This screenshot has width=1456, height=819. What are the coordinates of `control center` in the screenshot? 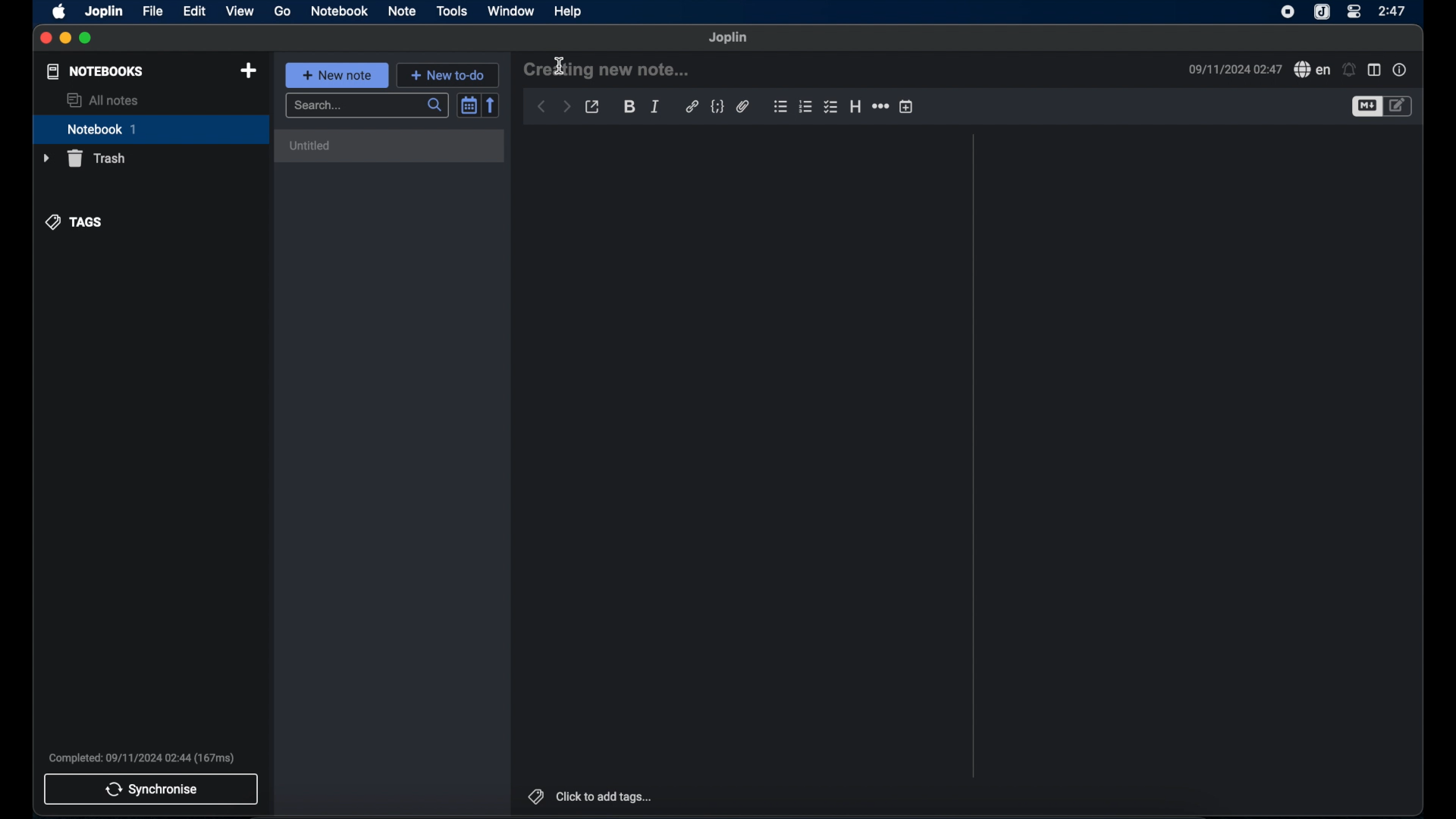 It's located at (1355, 11).